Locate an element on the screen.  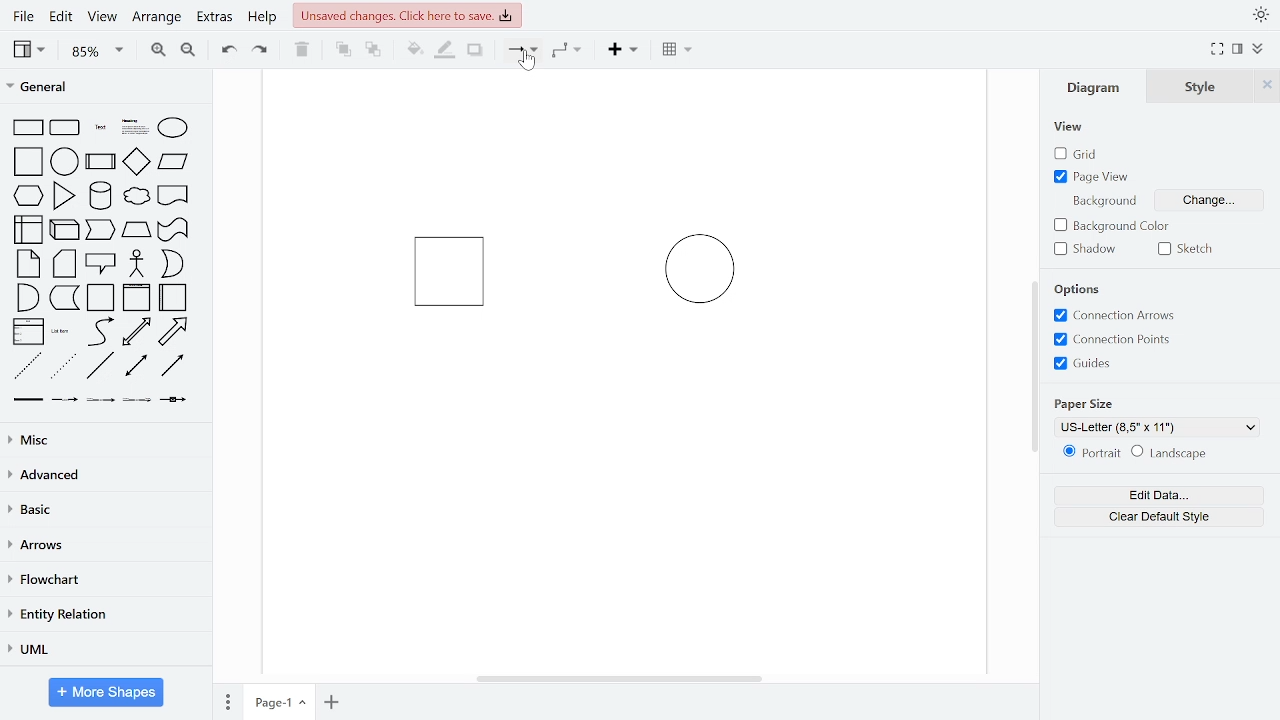
trapezoid is located at coordinates (136, 229).